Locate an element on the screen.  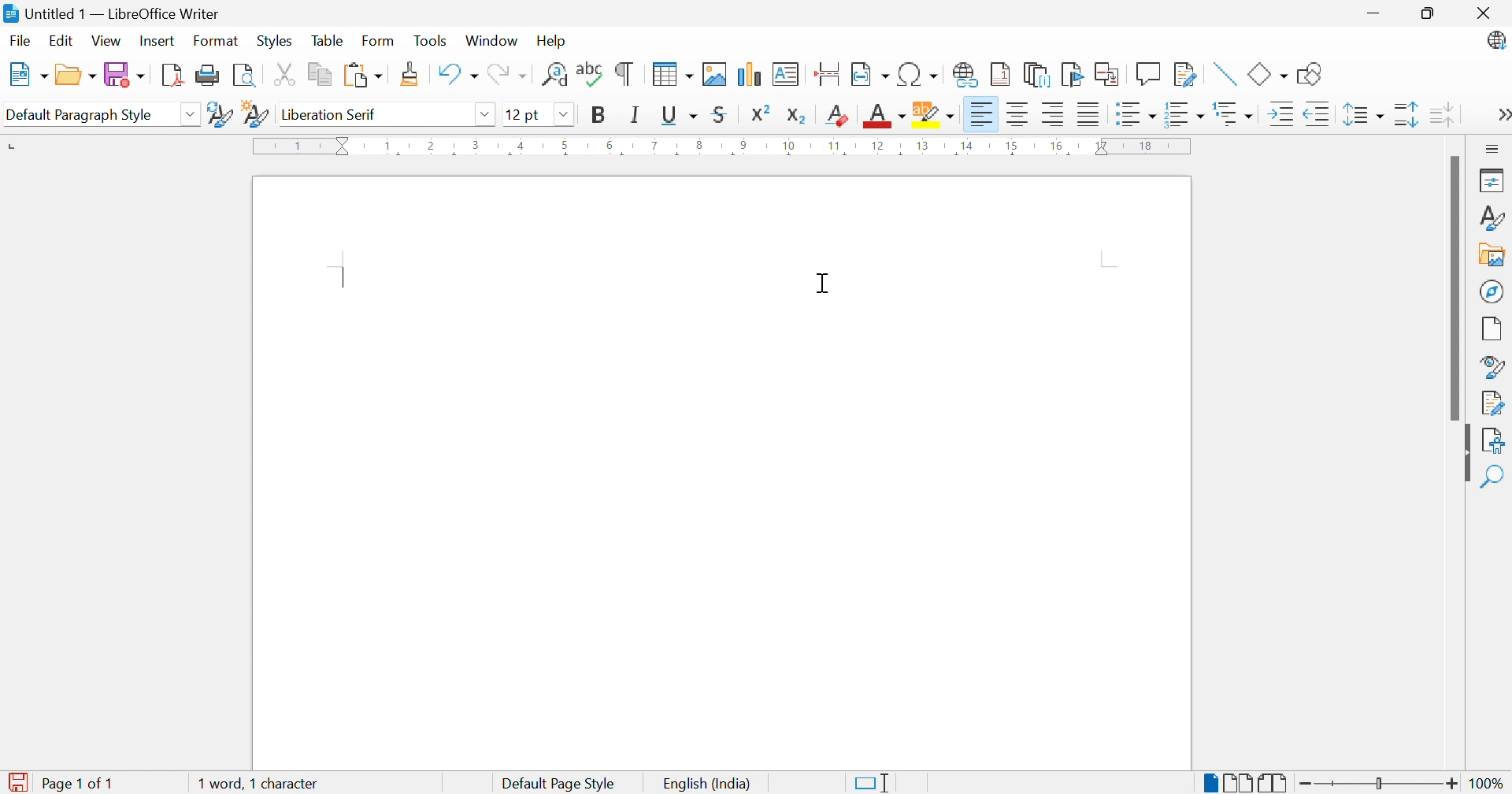
Insert Text Box is located at coordinates (787, 73).